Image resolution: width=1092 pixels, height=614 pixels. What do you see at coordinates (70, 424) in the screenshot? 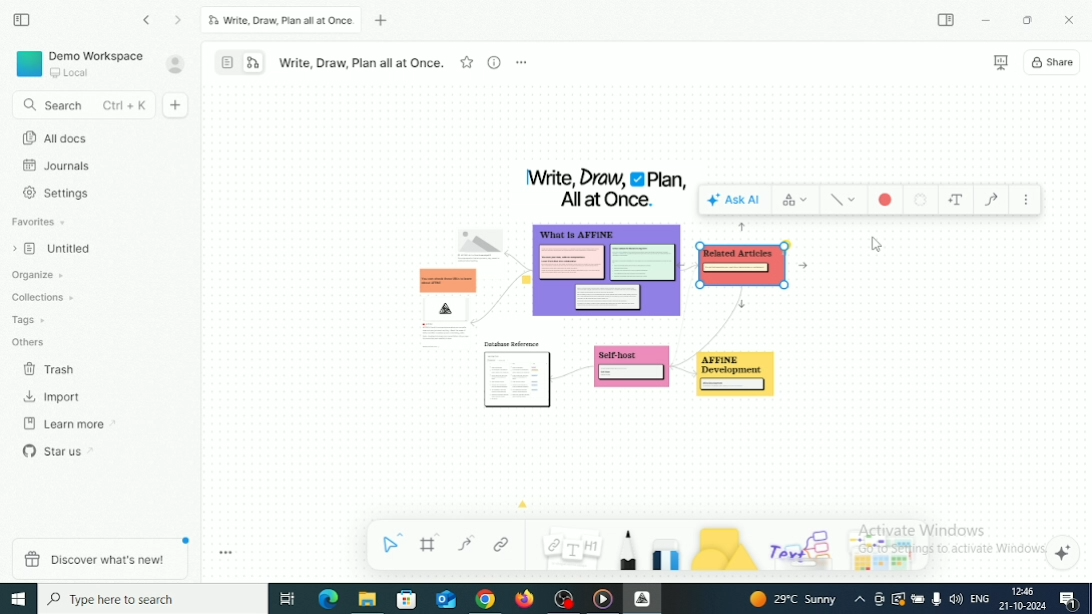
I see `Learn more` at bounding box center [70, 424].